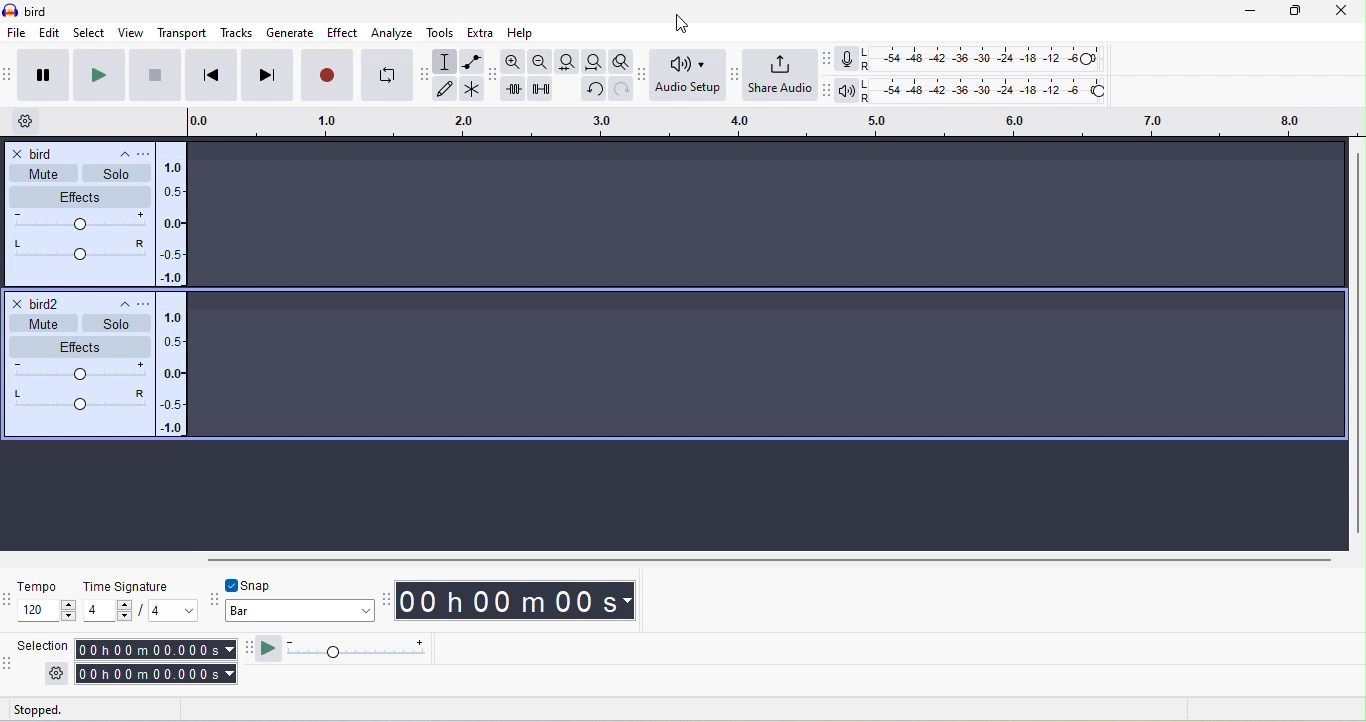  I want to click on trim audio outside selection, so click(516, 91).